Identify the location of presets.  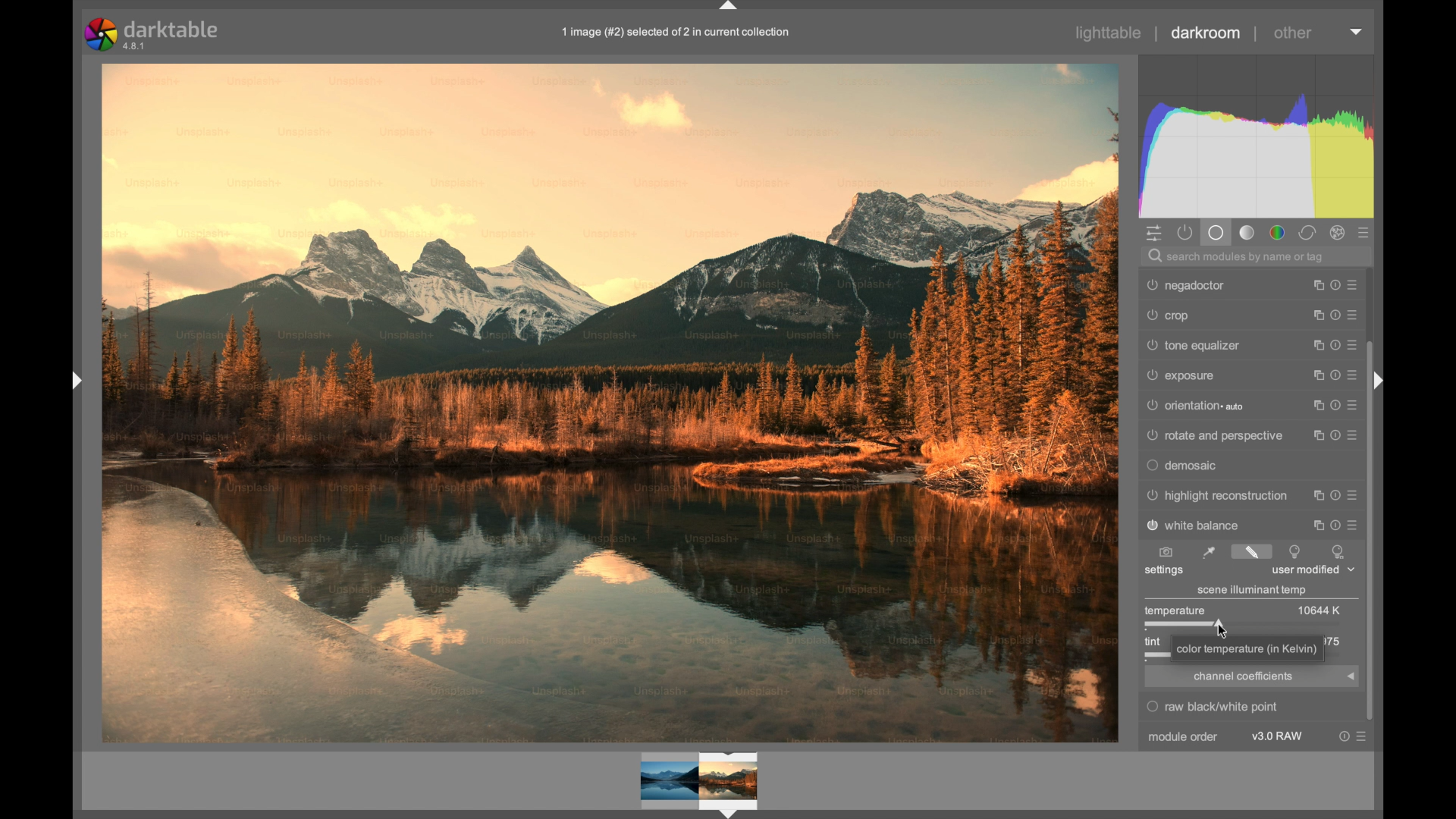
(1353, 312).